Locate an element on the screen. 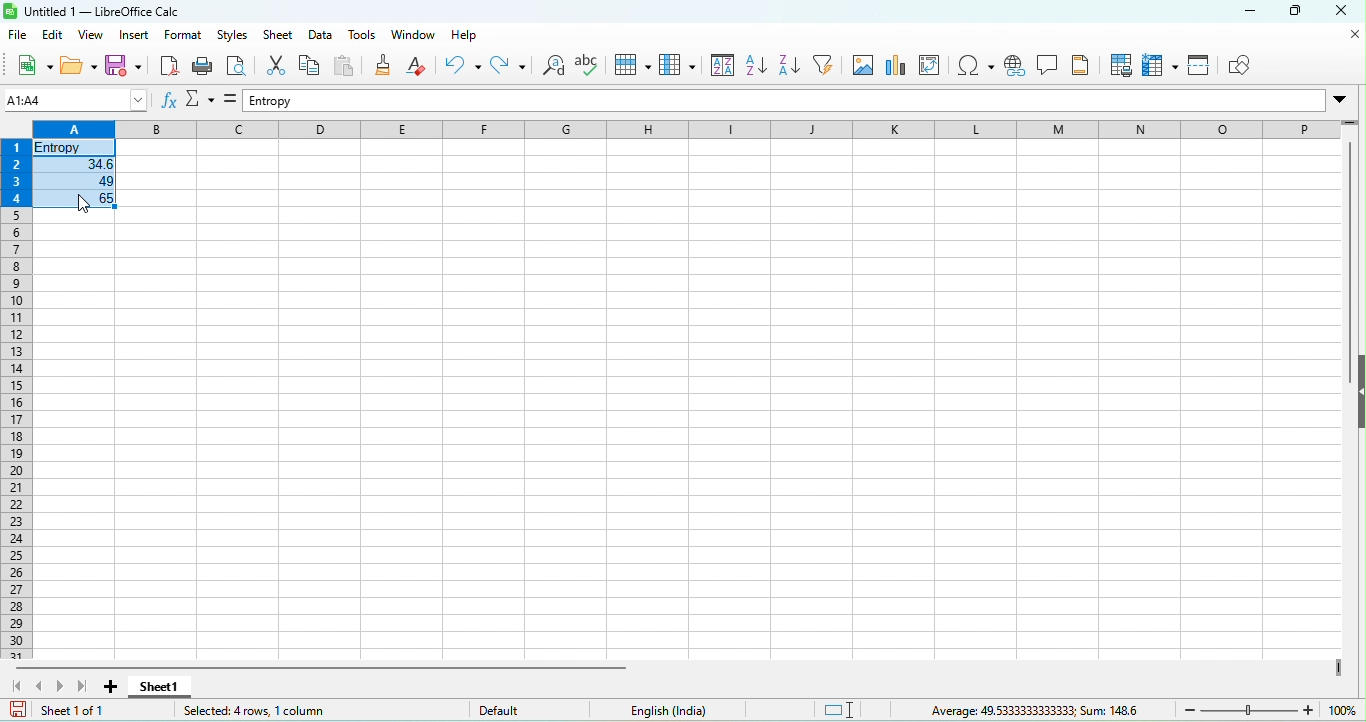  edit is located at coordinates (54, 37).